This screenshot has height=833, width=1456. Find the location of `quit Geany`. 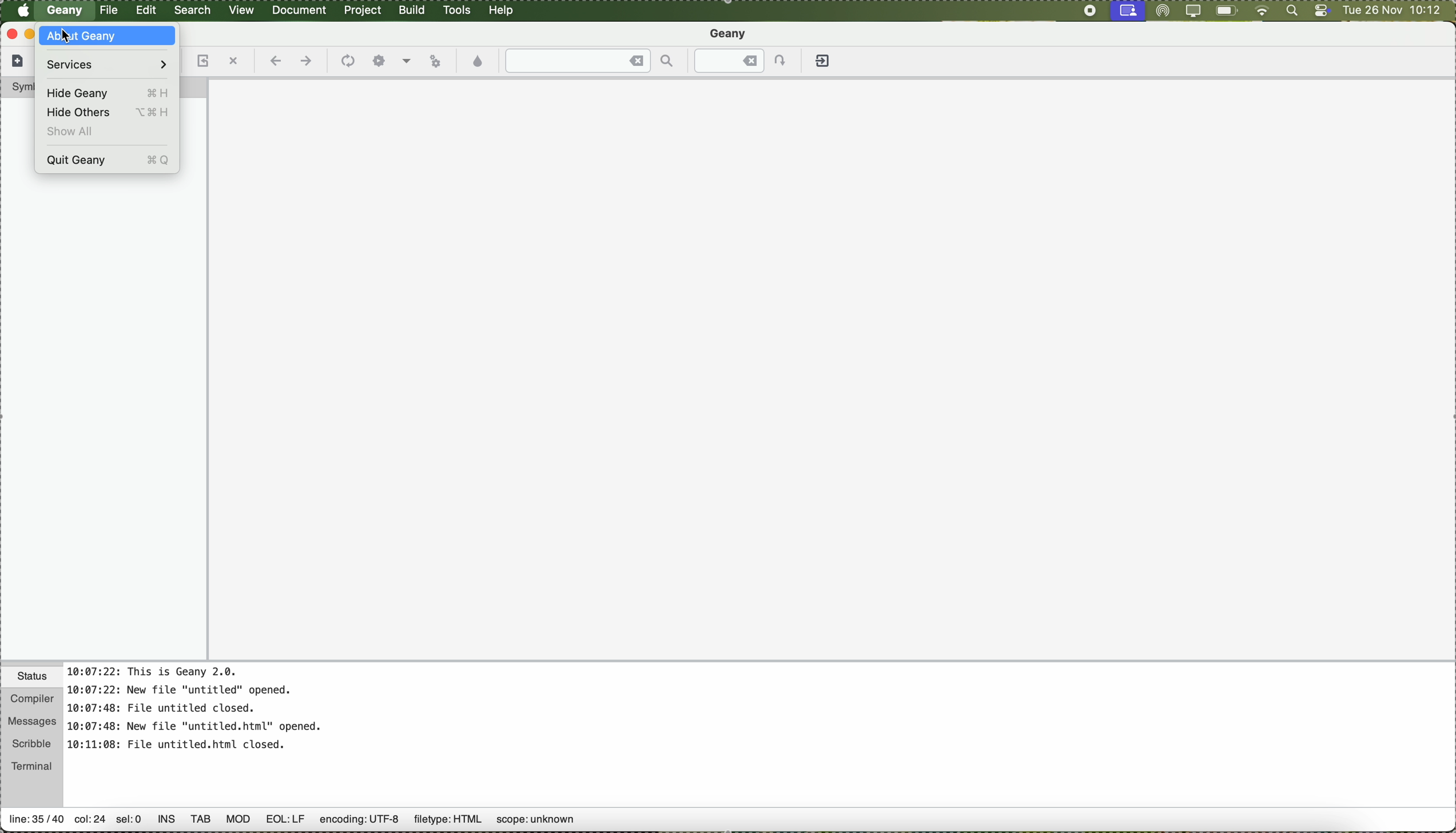

quit Geany is located at coordinates (109, 161).